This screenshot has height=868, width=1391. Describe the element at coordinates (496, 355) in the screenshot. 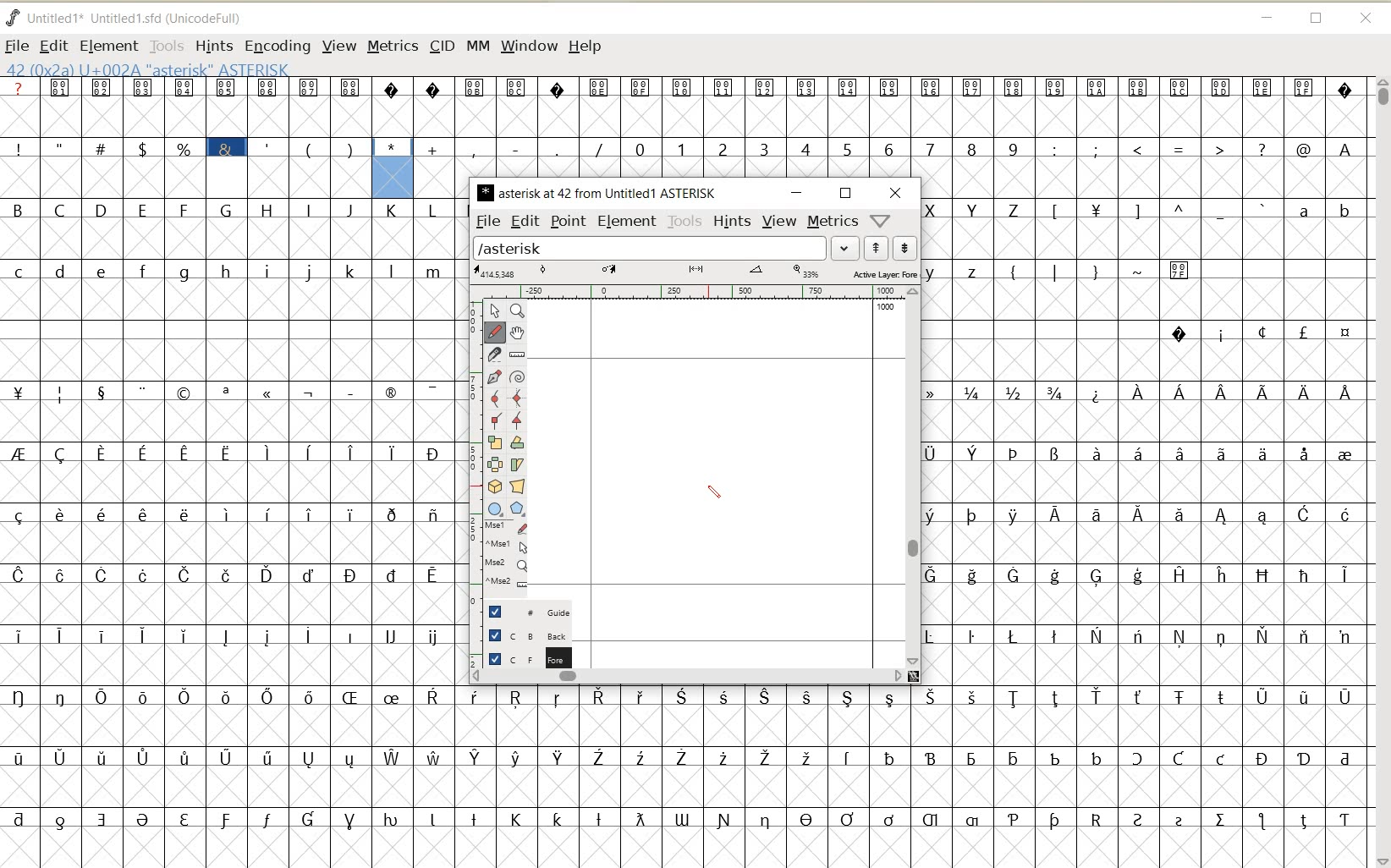

I see `cut splines in two` at that location.